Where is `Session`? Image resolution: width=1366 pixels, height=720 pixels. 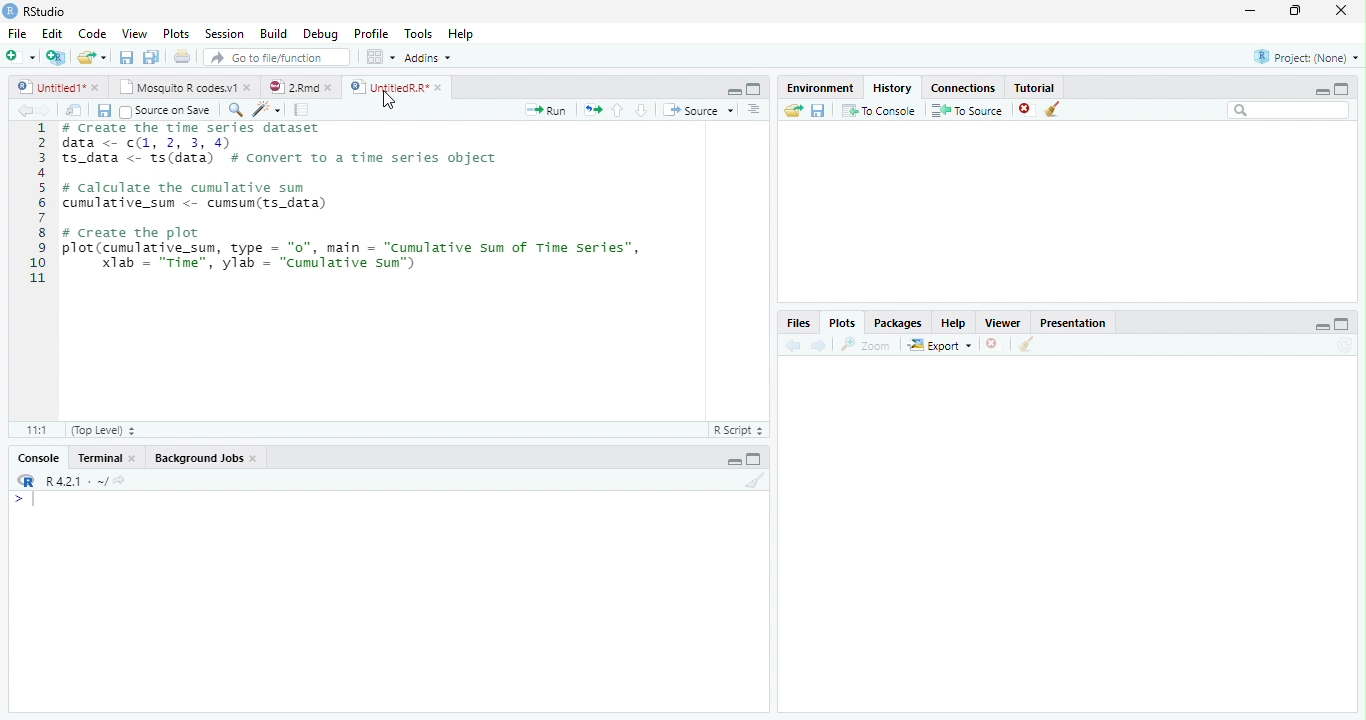
Session is located at coordinates (224, 34).